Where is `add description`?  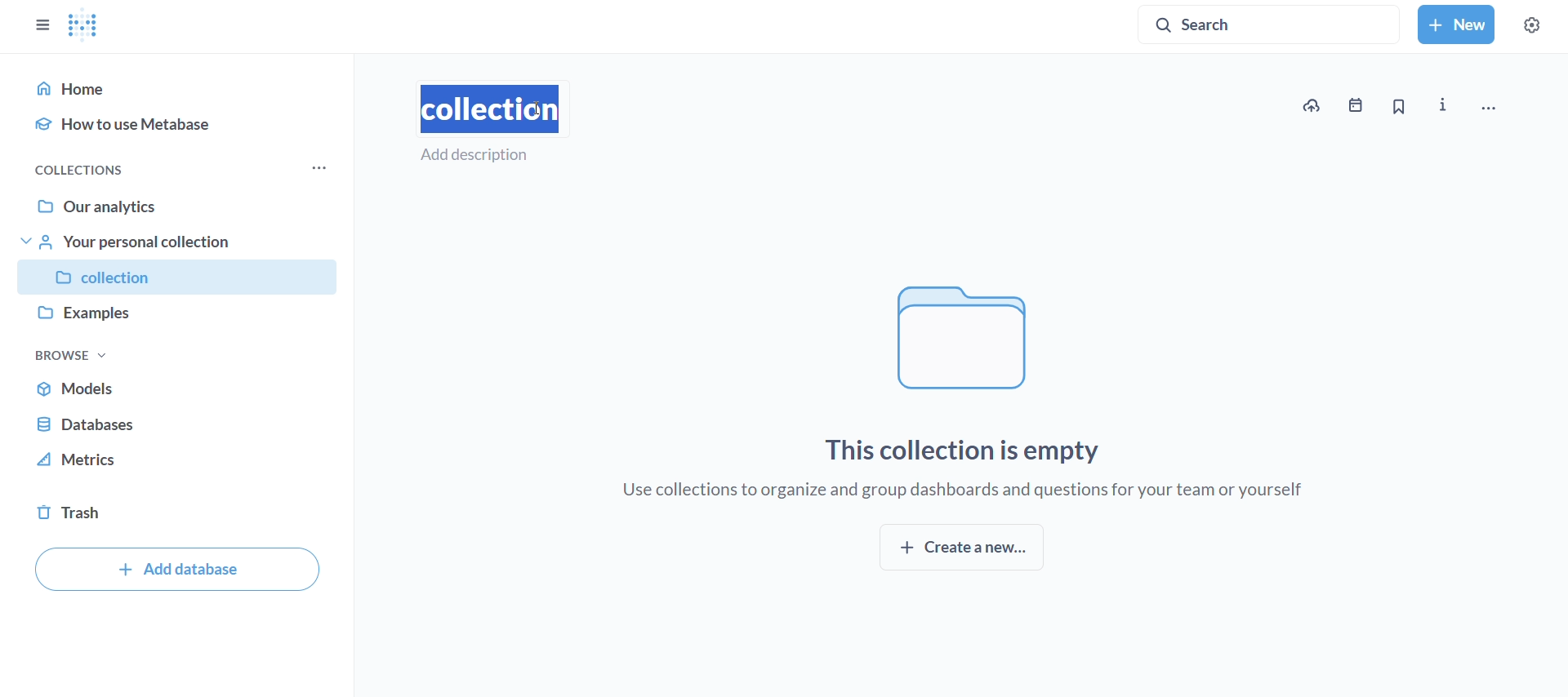 add description is located at coordinates (485, 155).